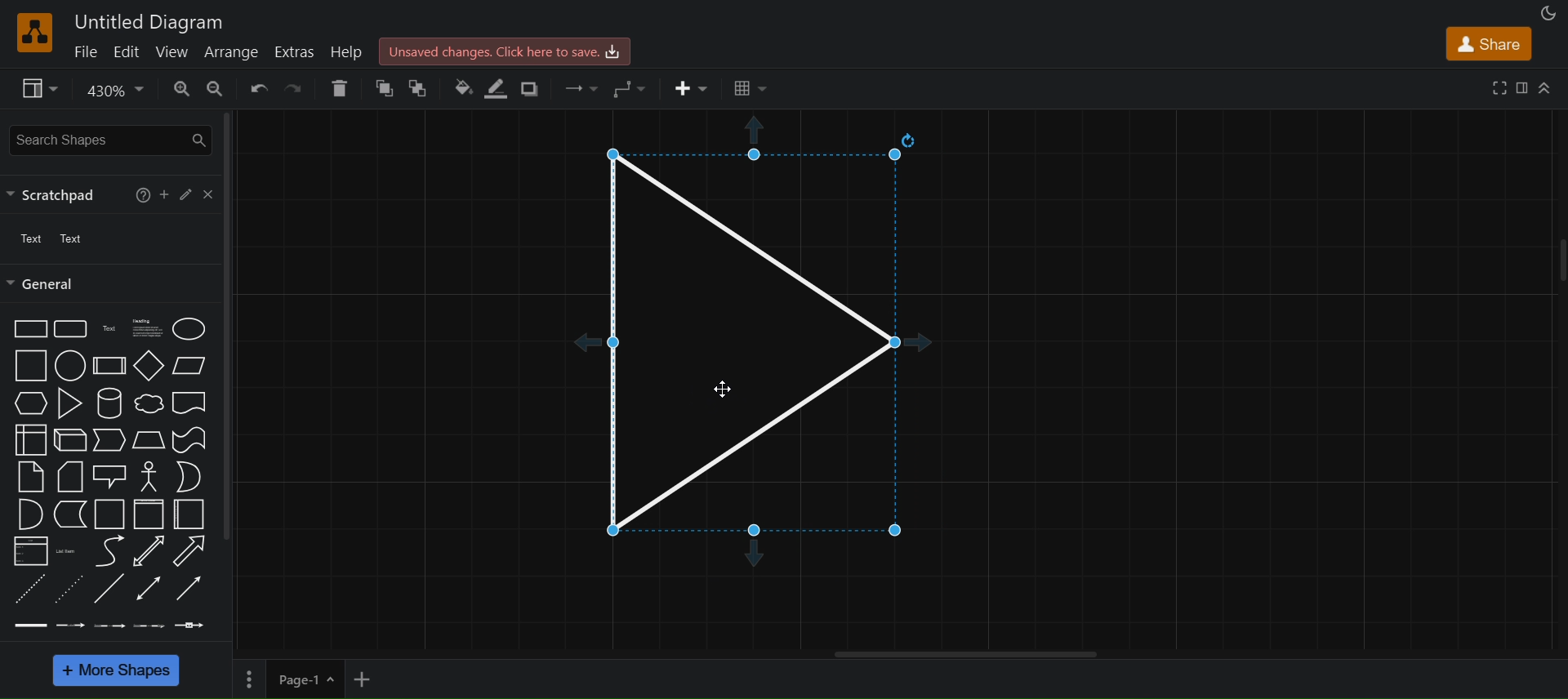  What do you see at coordinates (231, 51) in the screenshot?
I see `arrange` at bounding box center [231, 51].